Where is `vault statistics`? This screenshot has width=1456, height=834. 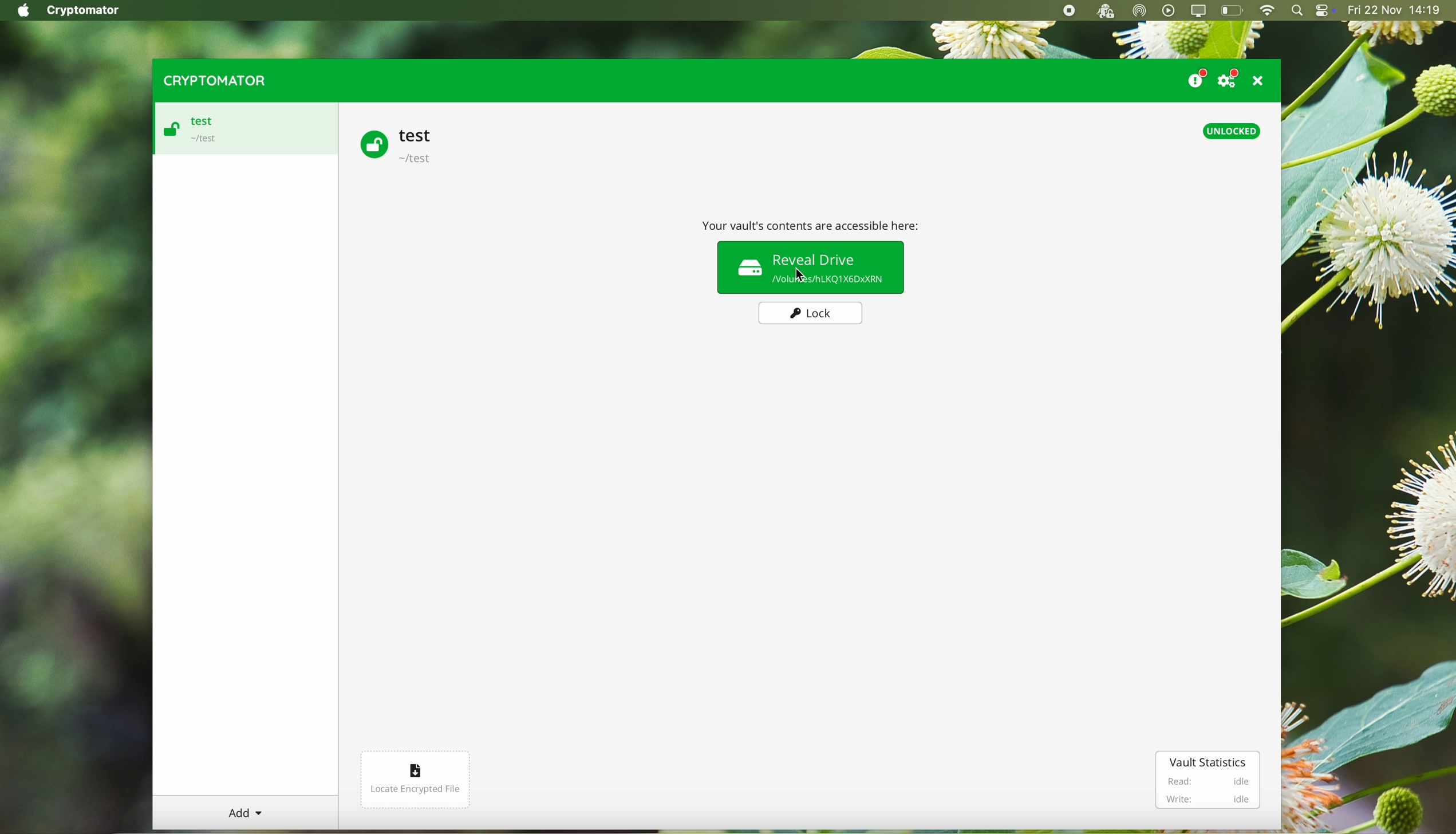
vault statistics is located at coordinates (1206, 761).